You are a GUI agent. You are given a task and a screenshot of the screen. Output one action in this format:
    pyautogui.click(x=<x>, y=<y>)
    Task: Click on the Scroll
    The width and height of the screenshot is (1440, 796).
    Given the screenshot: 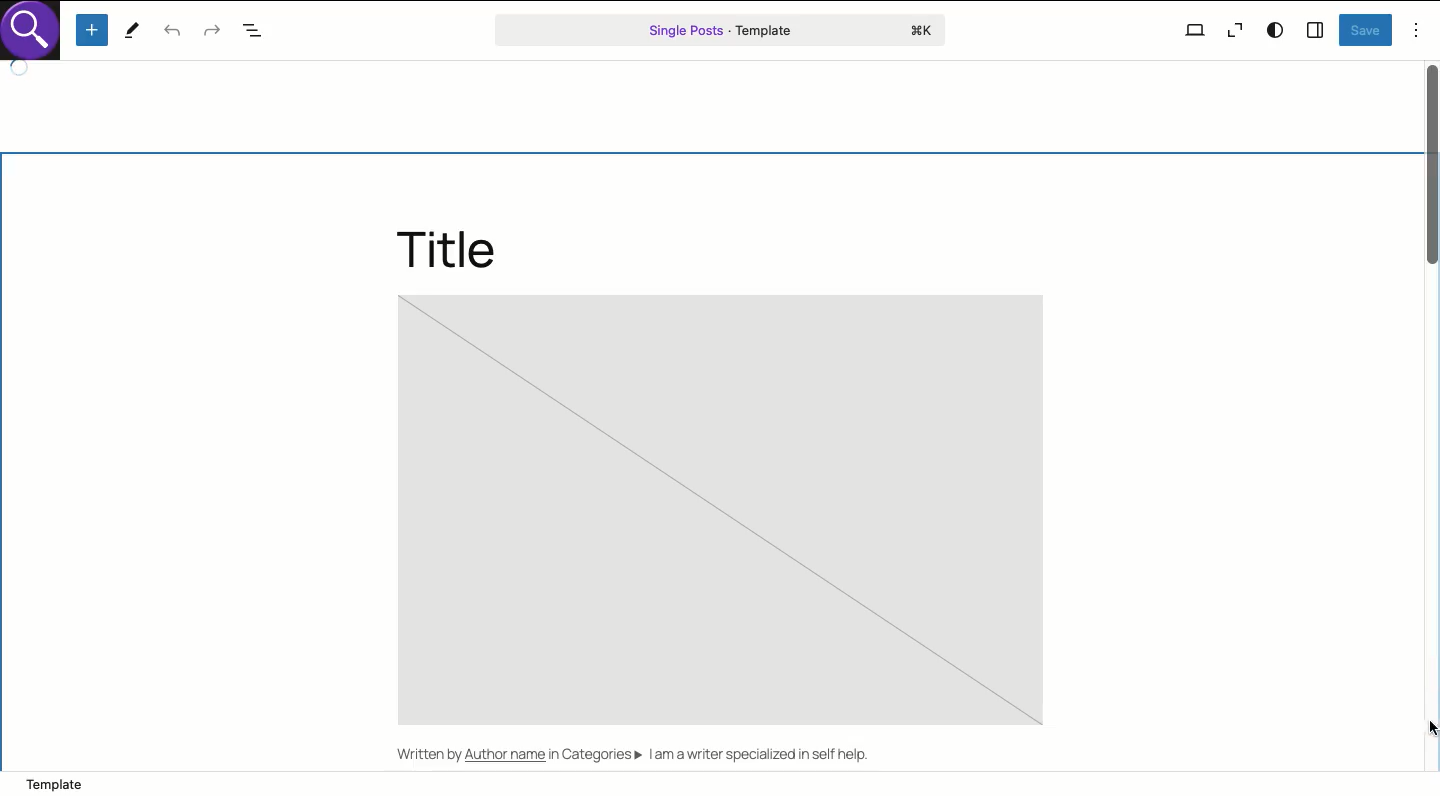 What is the action you would take?
    pyautogui.click(x=1431, y=415)
    